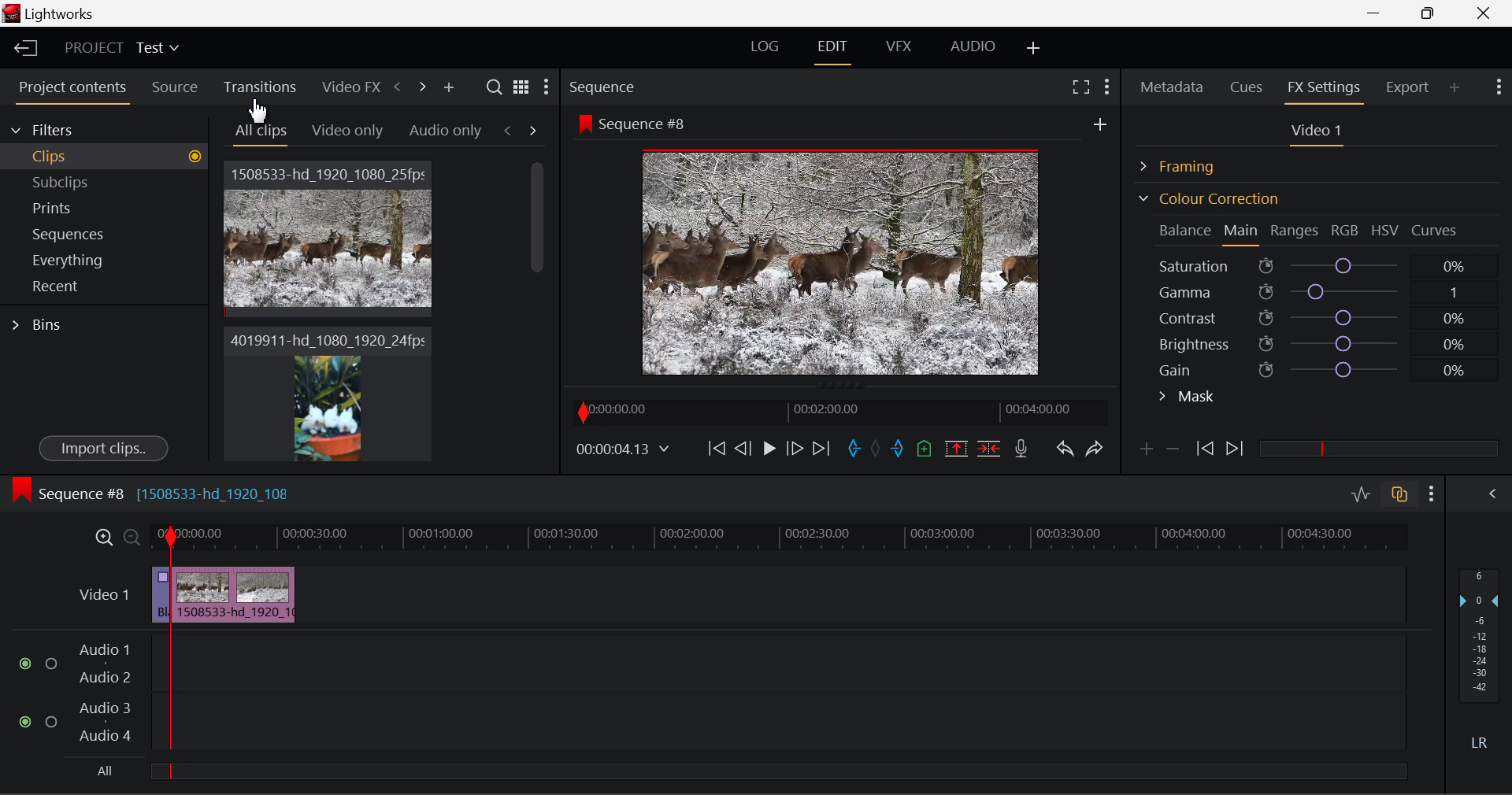 This screenshot has height=795, width=1512. I want to click on Ranges, so click(1295, 232).